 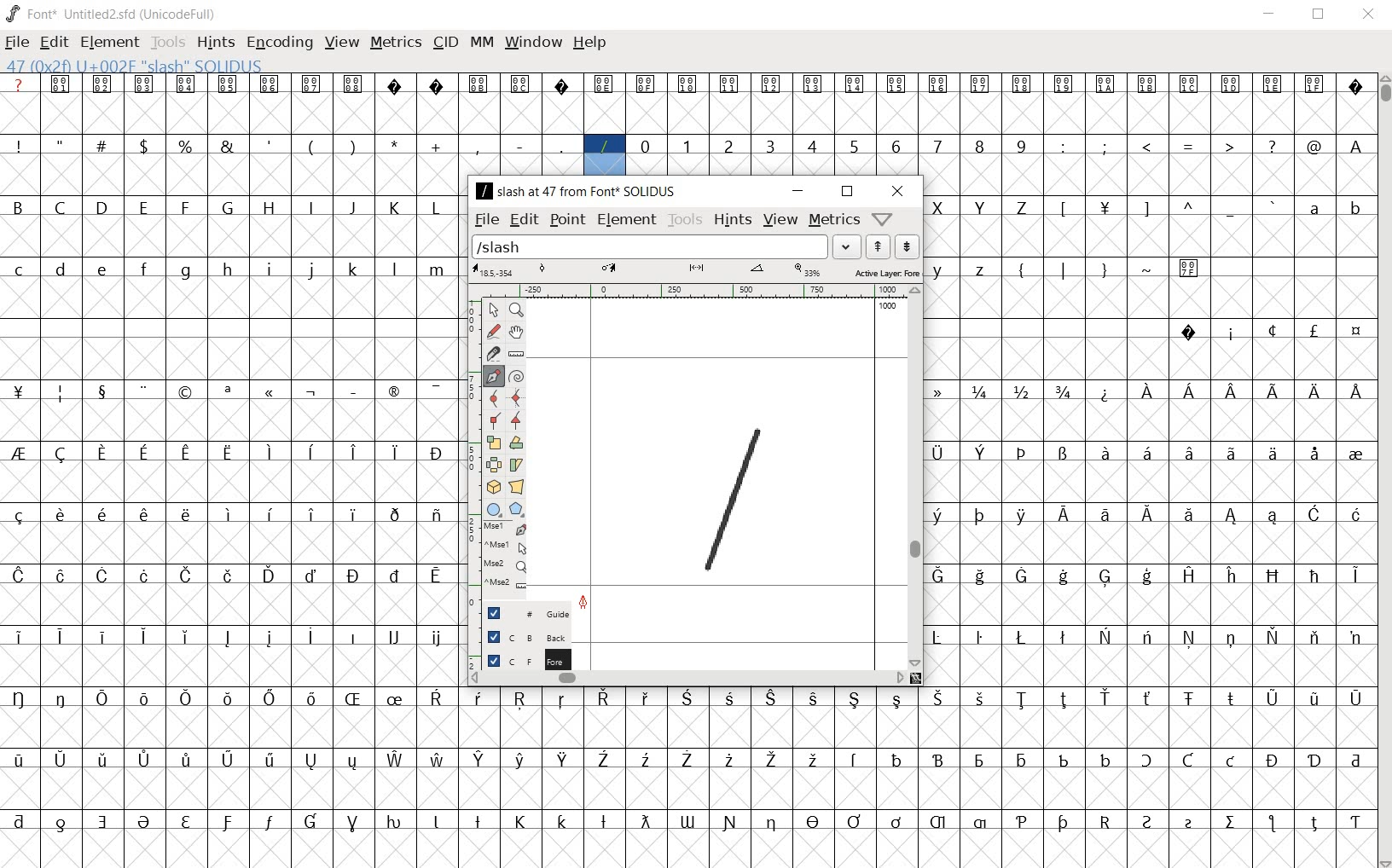 What do you see at coordinates (230, 176) in the screenshot?
I see `empty cells` at bounding box center [230, 176].